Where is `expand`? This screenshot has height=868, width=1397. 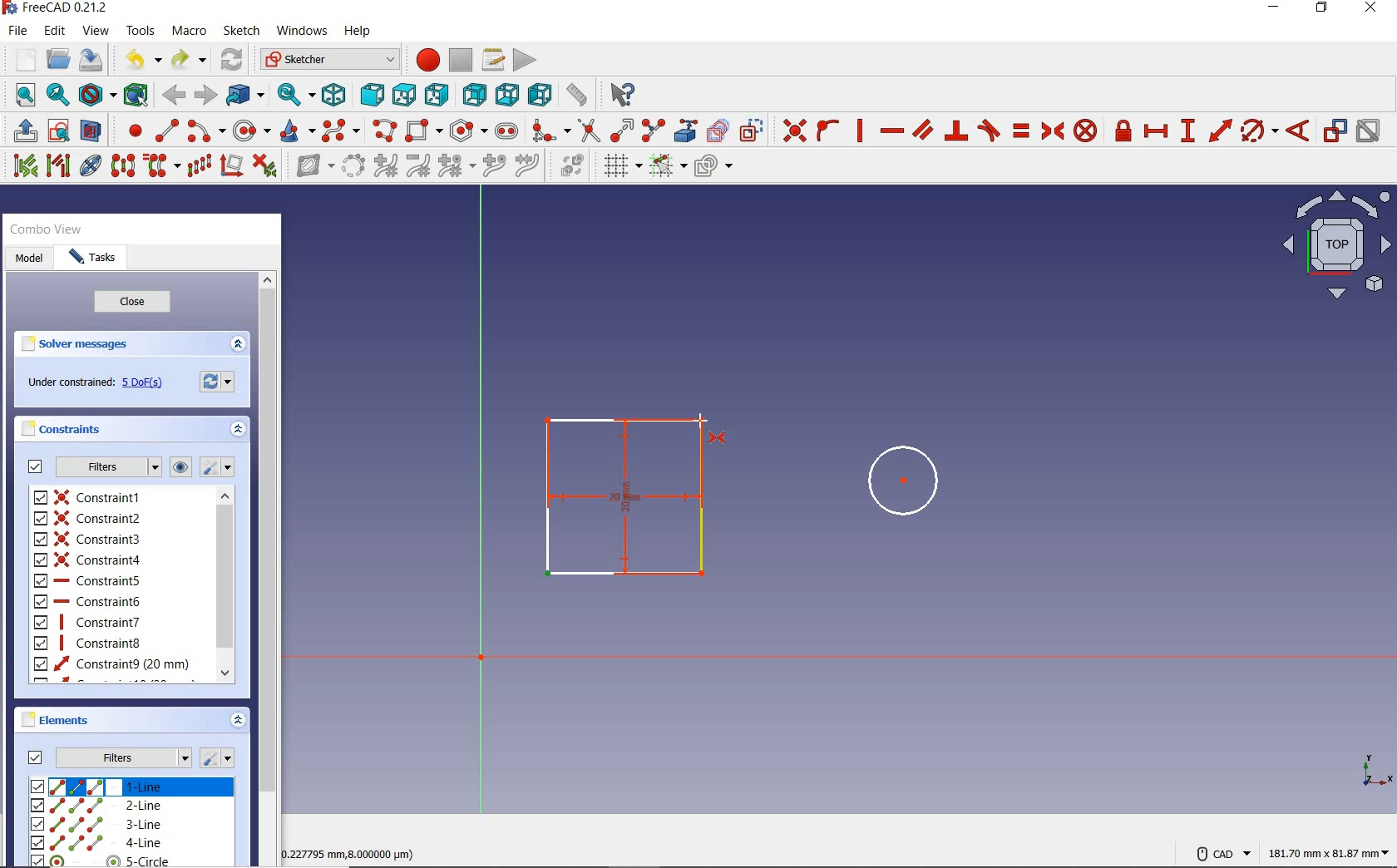 expand is located at coordinates (241, 345).